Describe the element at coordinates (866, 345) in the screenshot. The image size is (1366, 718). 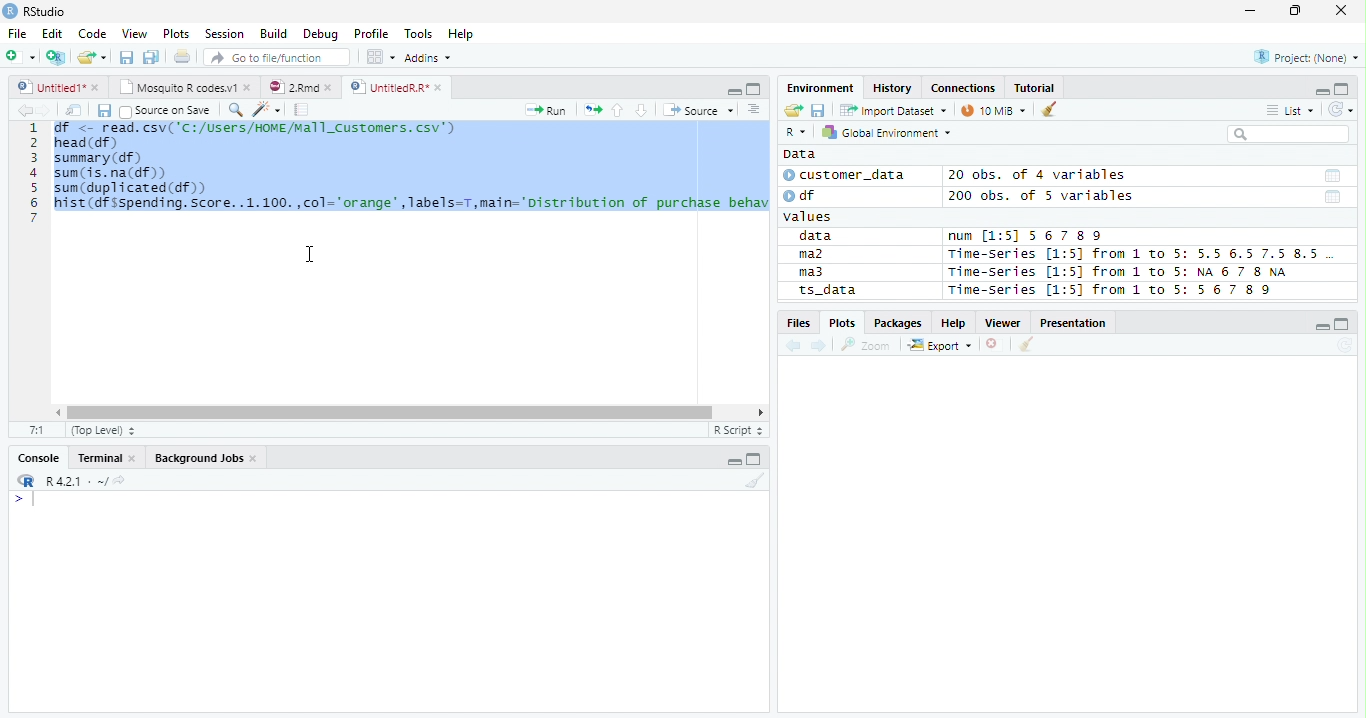
I see `Zoom` at that location.